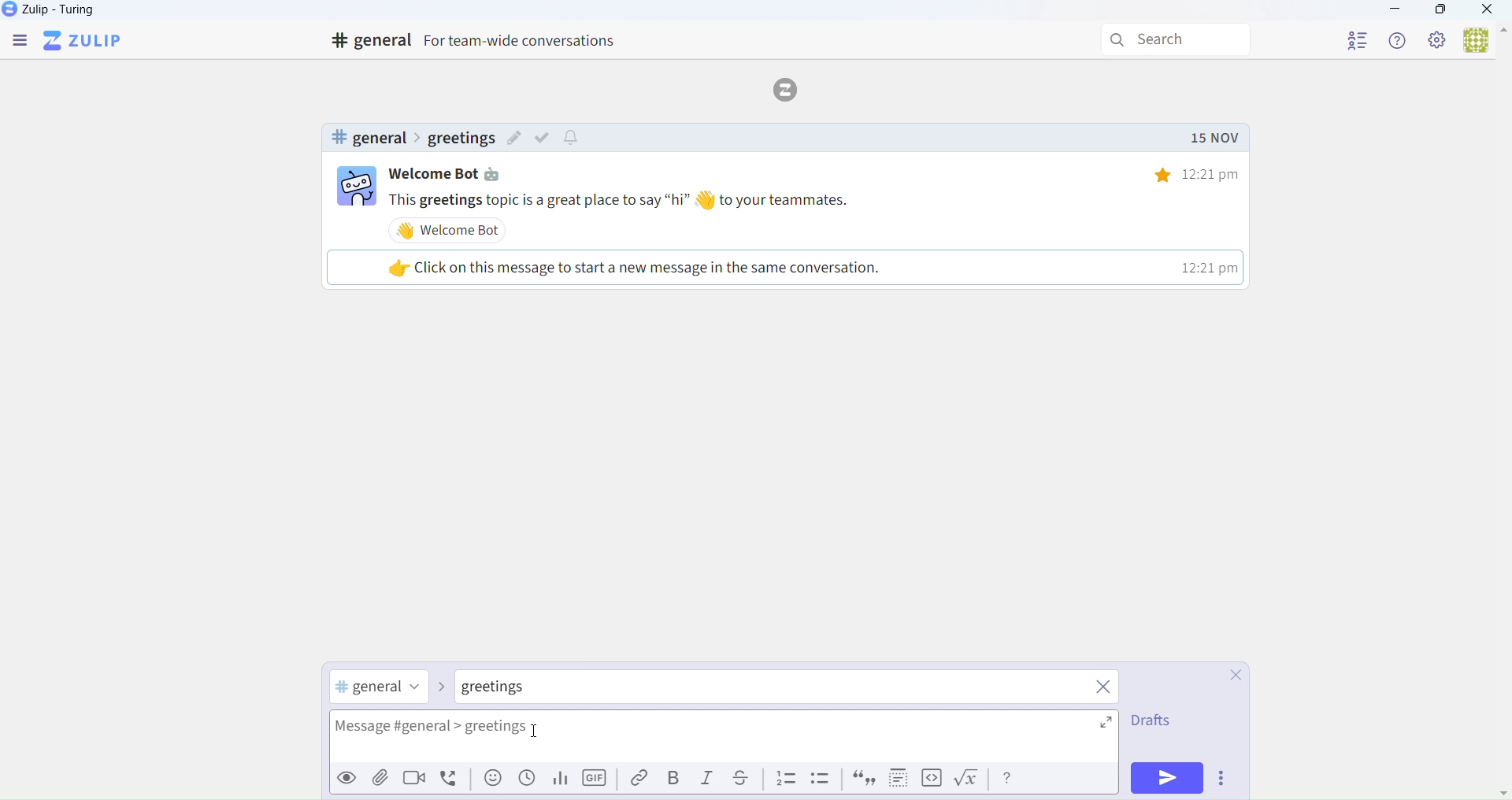  What do you see at coordinates (344, 778) in the screenshot?
I see `Preview` at bounding box center [344, 778].